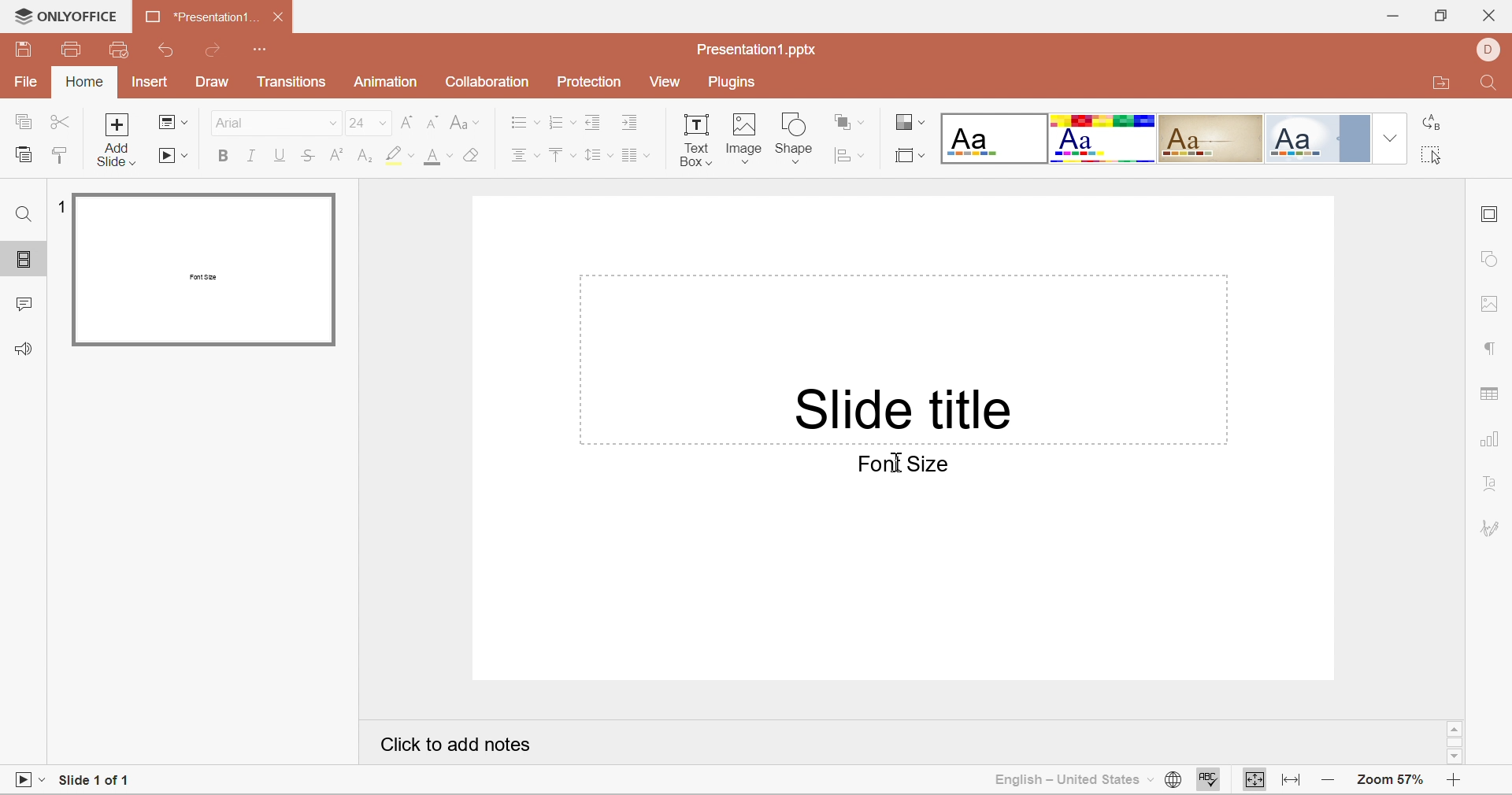 The width and height of the screenshot is (1512, 795). What do you see at coordinates (409, 122) in the screenshot?
I see `Increment font size` at bounding box center [409, 122].